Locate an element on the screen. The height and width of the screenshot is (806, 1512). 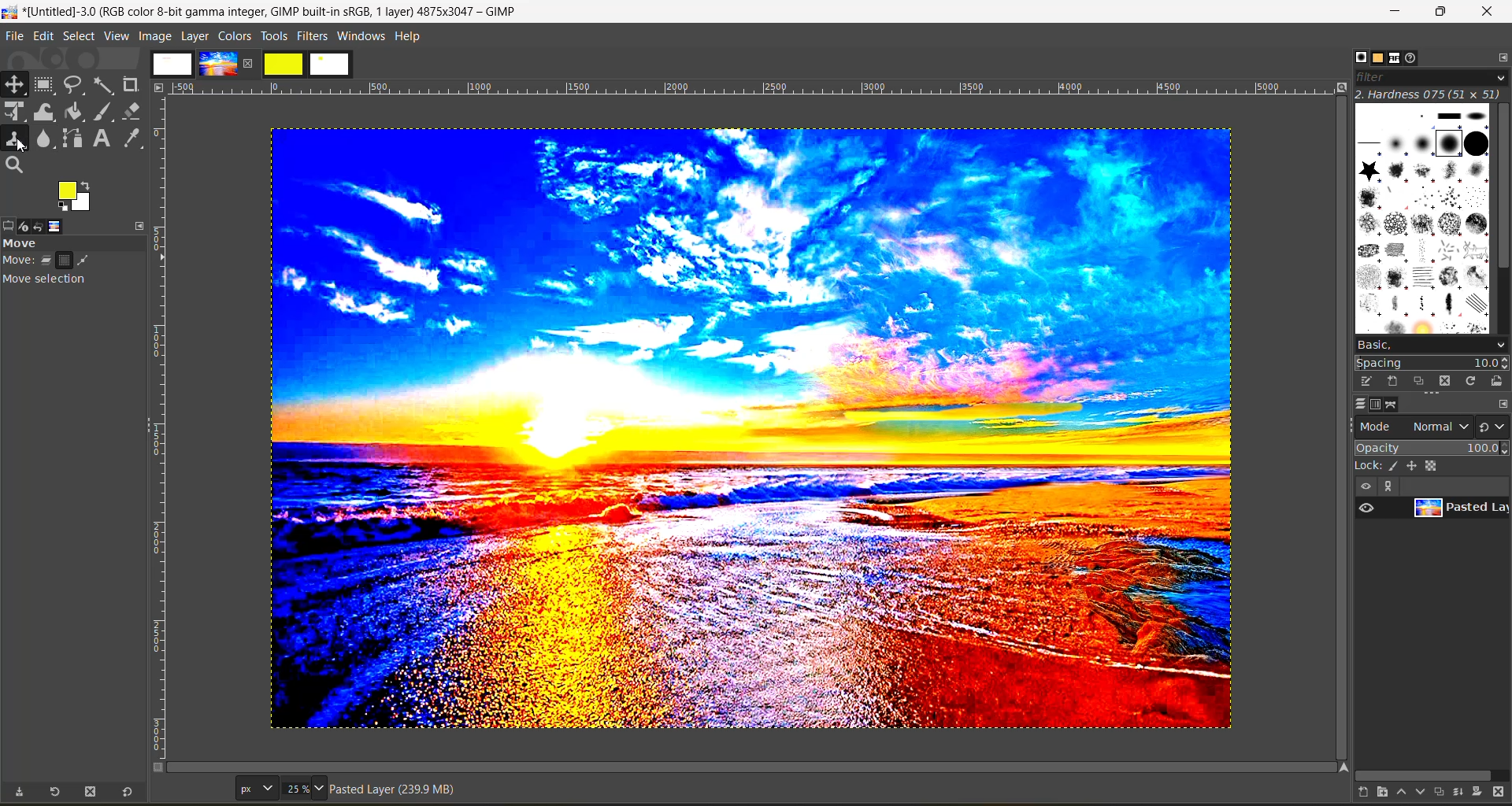
image is located at coordinates (154, 35).